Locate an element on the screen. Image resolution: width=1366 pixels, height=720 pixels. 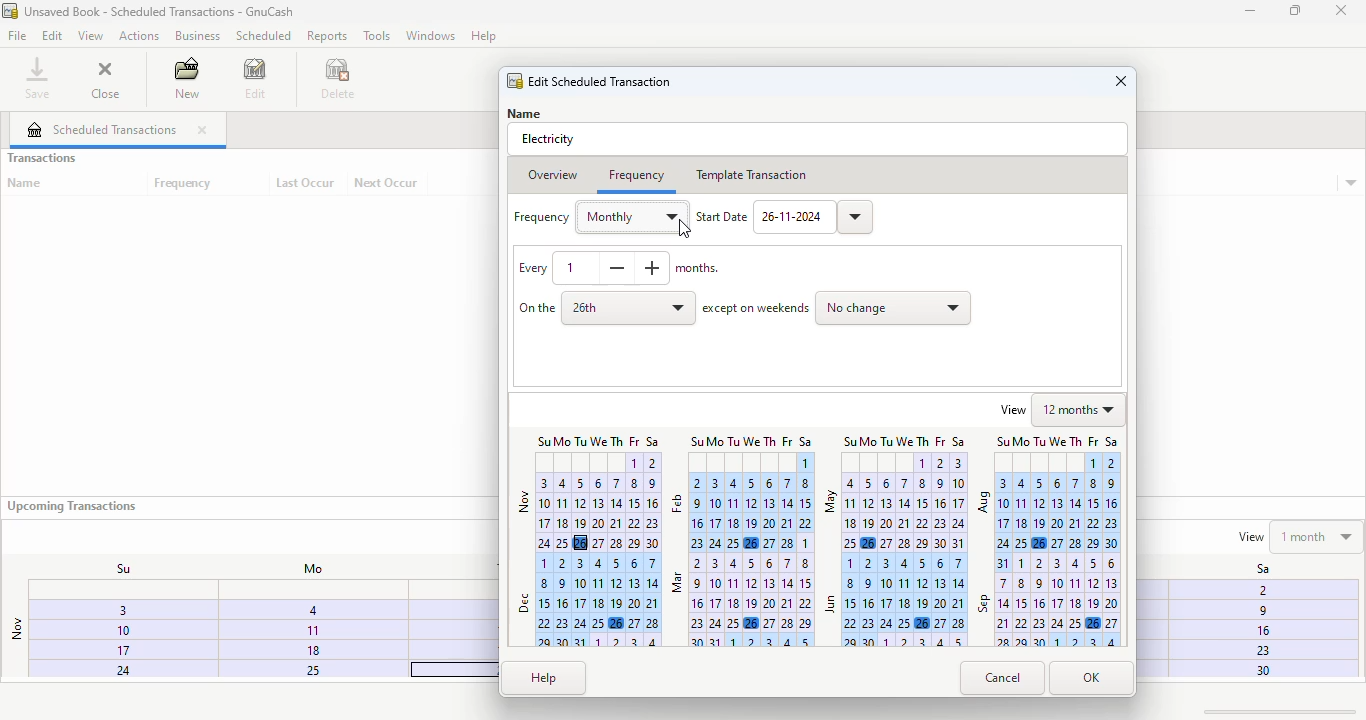
nov is located at coordinates (16, 629).